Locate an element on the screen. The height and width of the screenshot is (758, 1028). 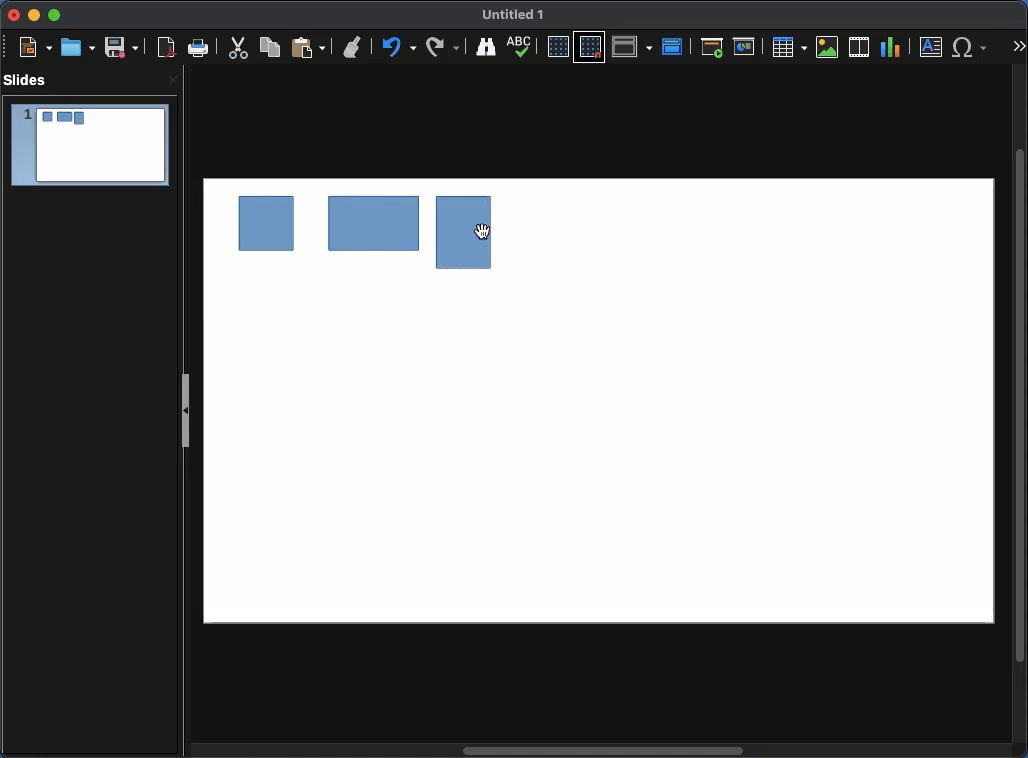
Finding is located at coordinates (443, 47).